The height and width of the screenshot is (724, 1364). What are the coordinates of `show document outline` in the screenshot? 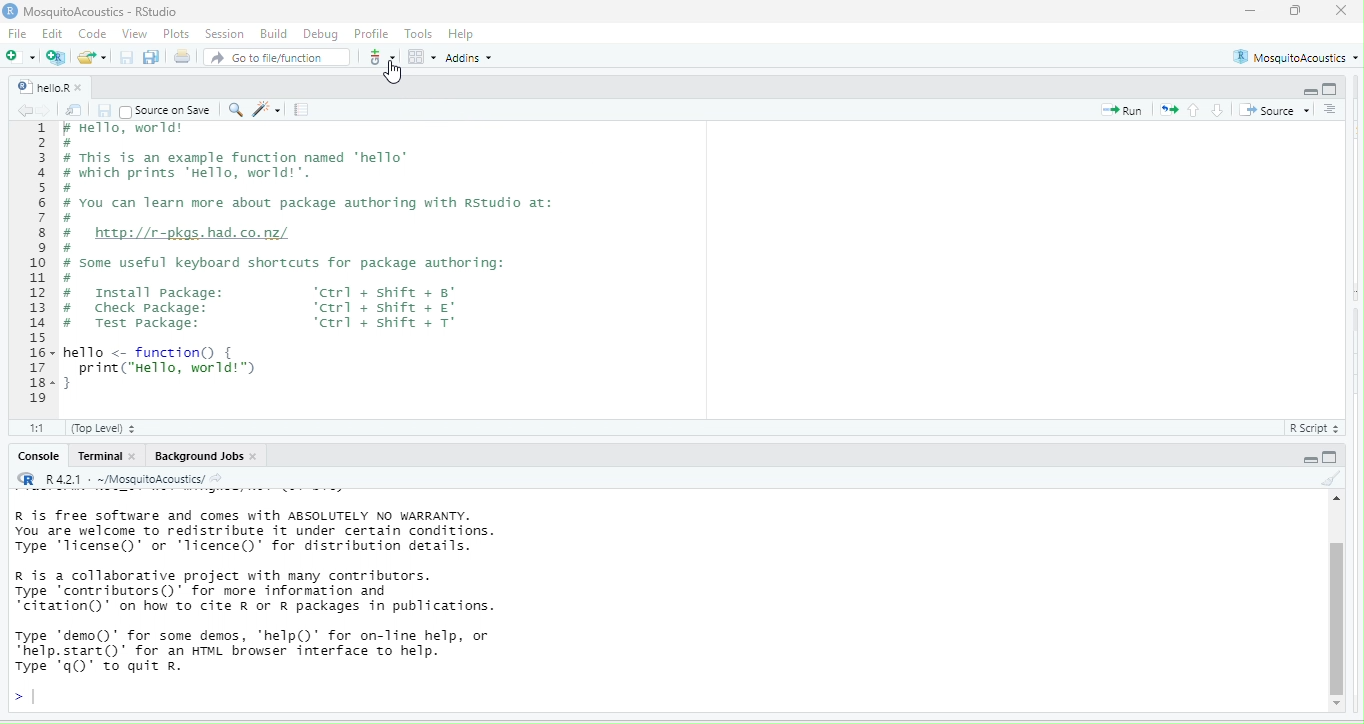 It's located at (1331, 110).